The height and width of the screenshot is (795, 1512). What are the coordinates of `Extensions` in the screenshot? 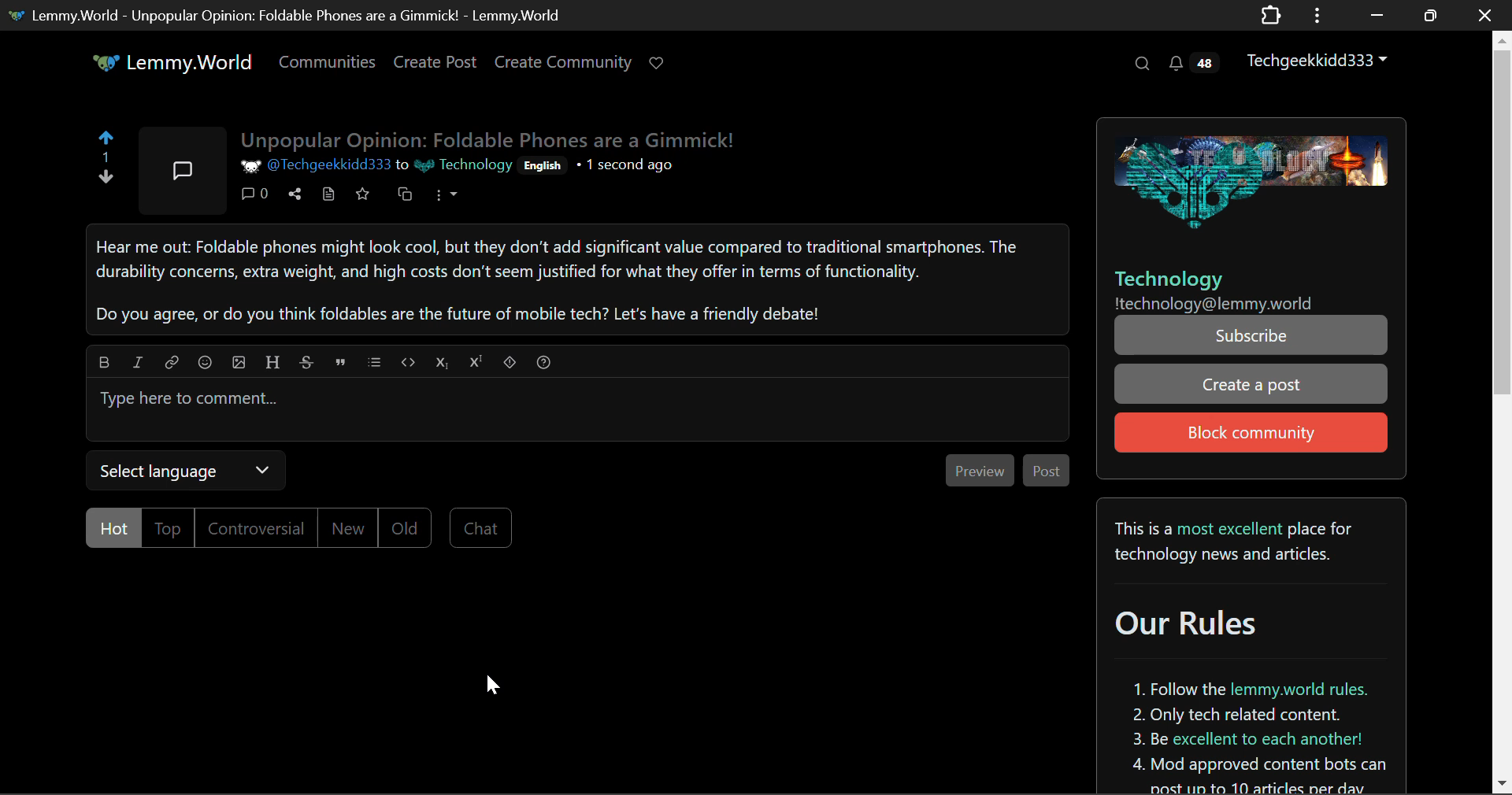 It's located at (1270, 14).